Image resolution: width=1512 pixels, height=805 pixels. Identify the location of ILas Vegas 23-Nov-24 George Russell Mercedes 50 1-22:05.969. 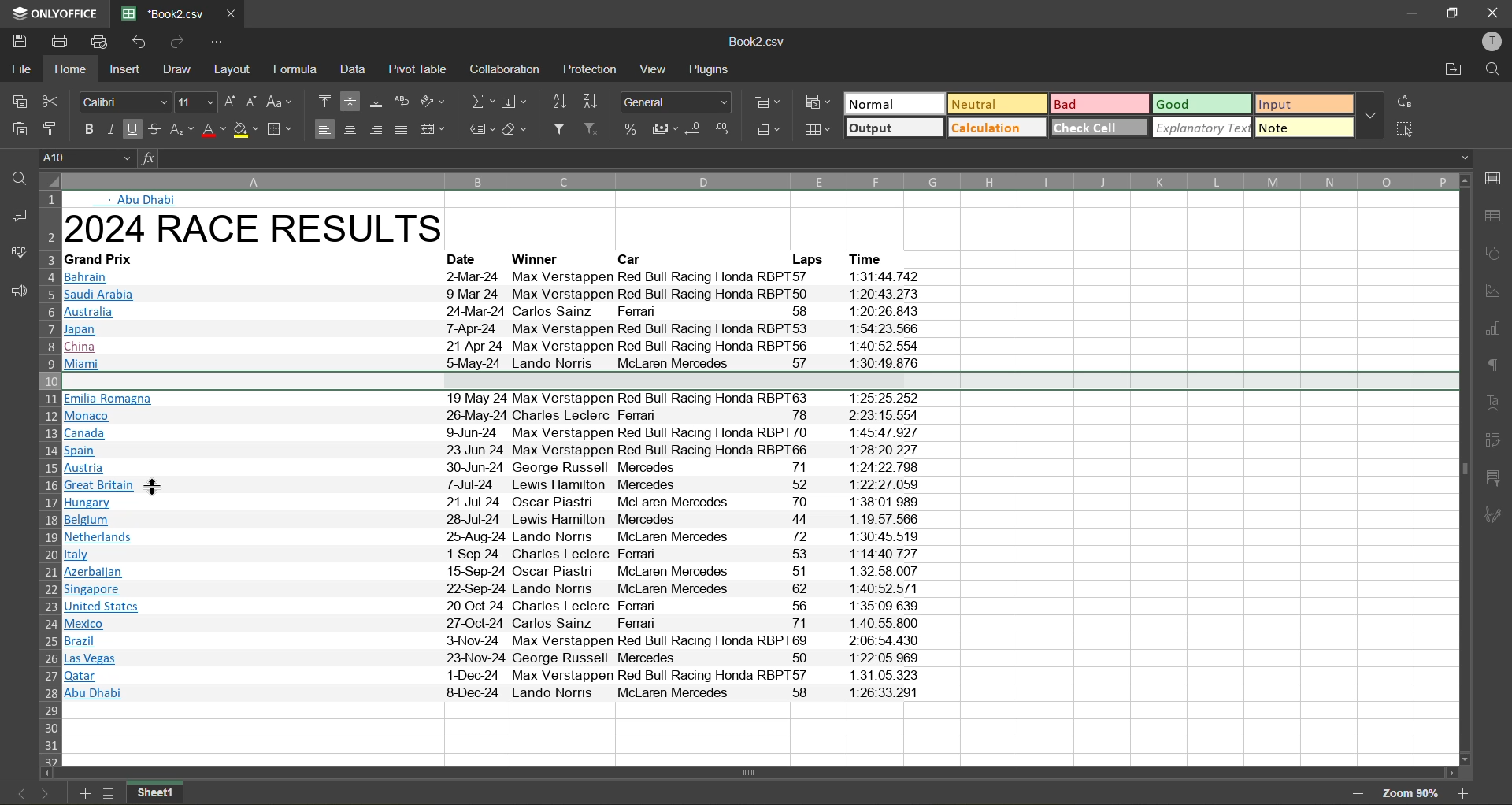
(492, 659).